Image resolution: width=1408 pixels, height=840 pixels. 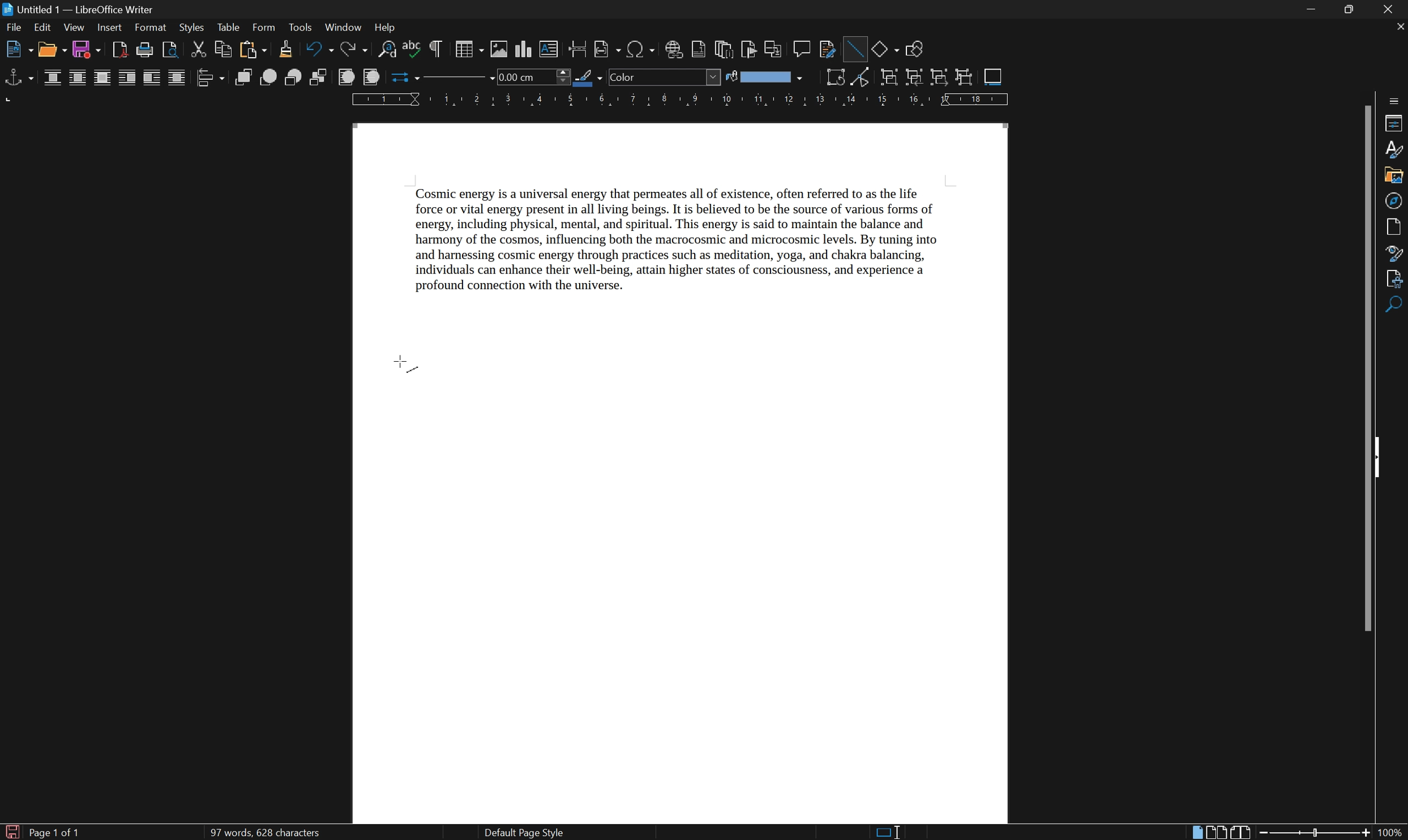 I want to click on through, so click(x=177, y=78).